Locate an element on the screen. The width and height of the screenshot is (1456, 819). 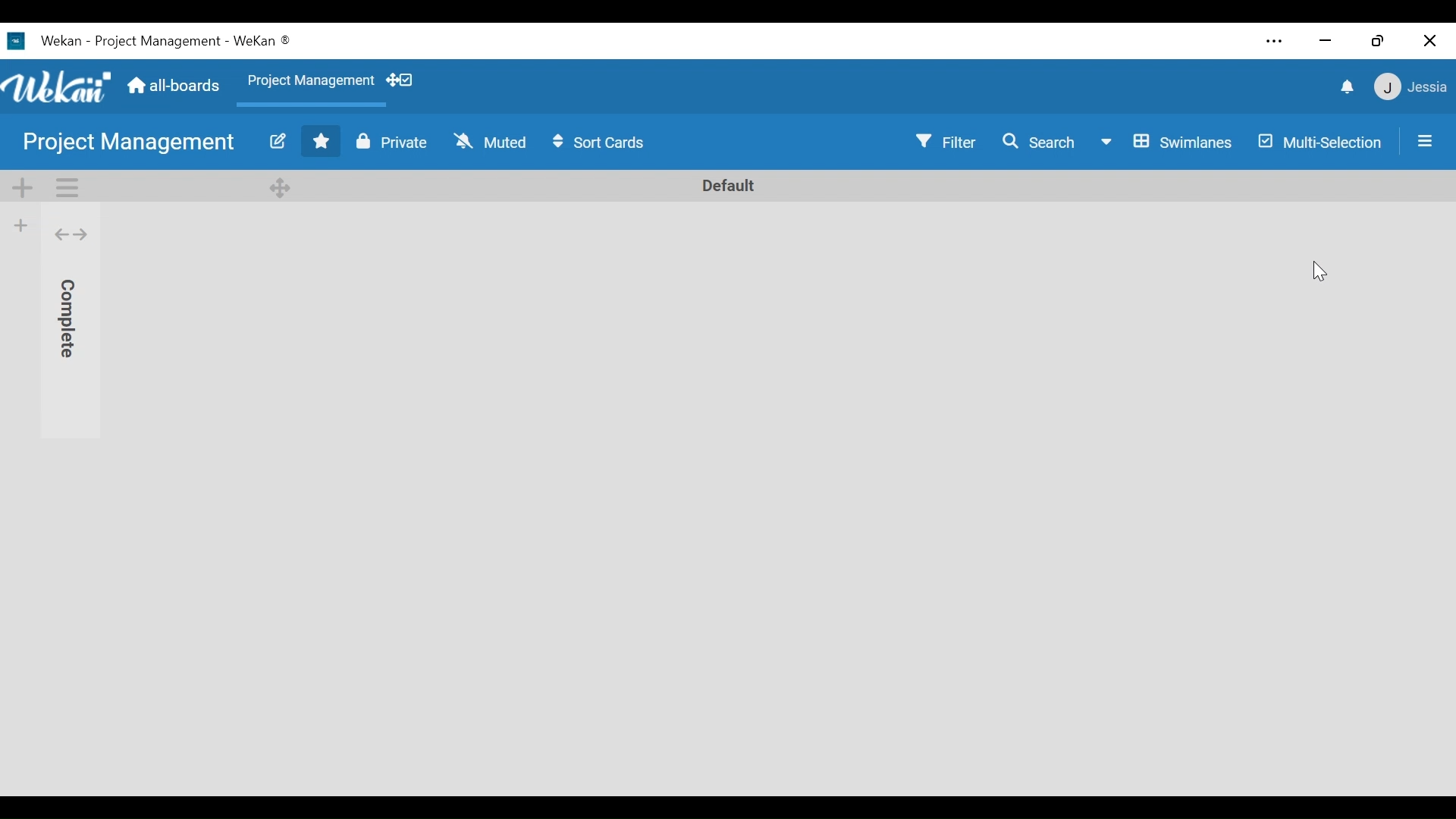
Project Management - Wekan 1 is located at coordinates (190, 39).